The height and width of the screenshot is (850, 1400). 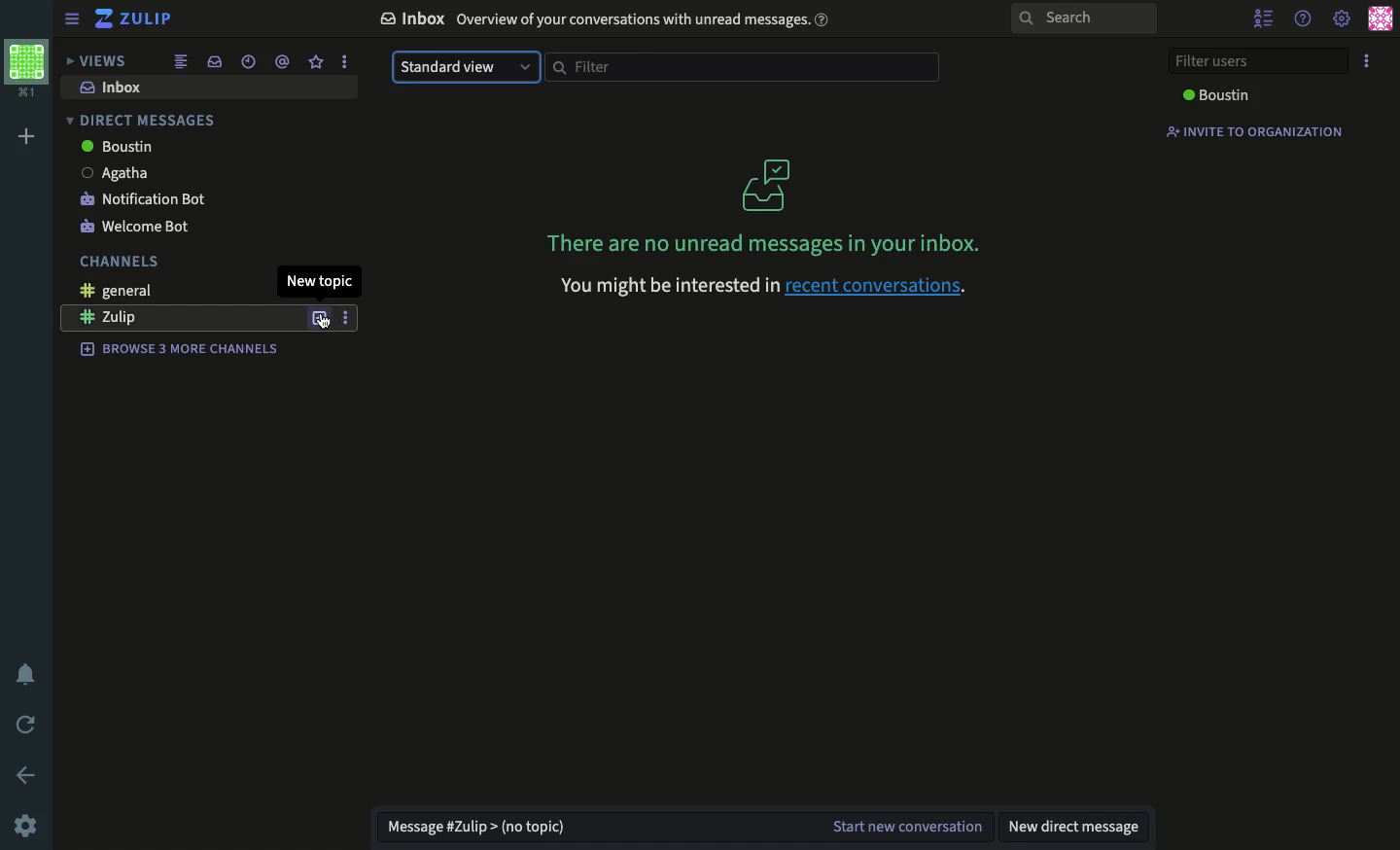 I want to click on views, so click(x=98, y=60).